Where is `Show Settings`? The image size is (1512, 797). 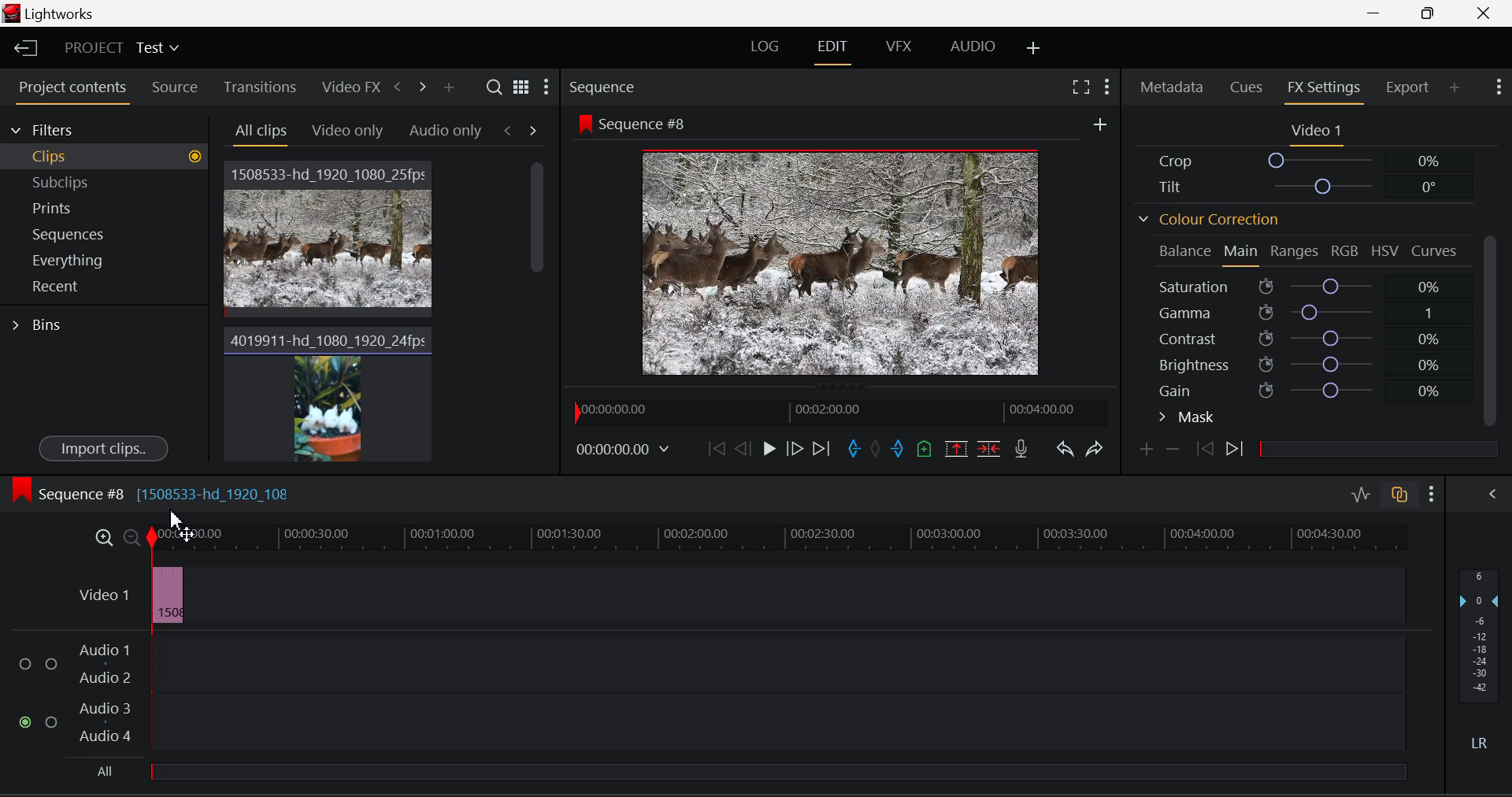 Show Settings is located at coordinates (1499, 90).